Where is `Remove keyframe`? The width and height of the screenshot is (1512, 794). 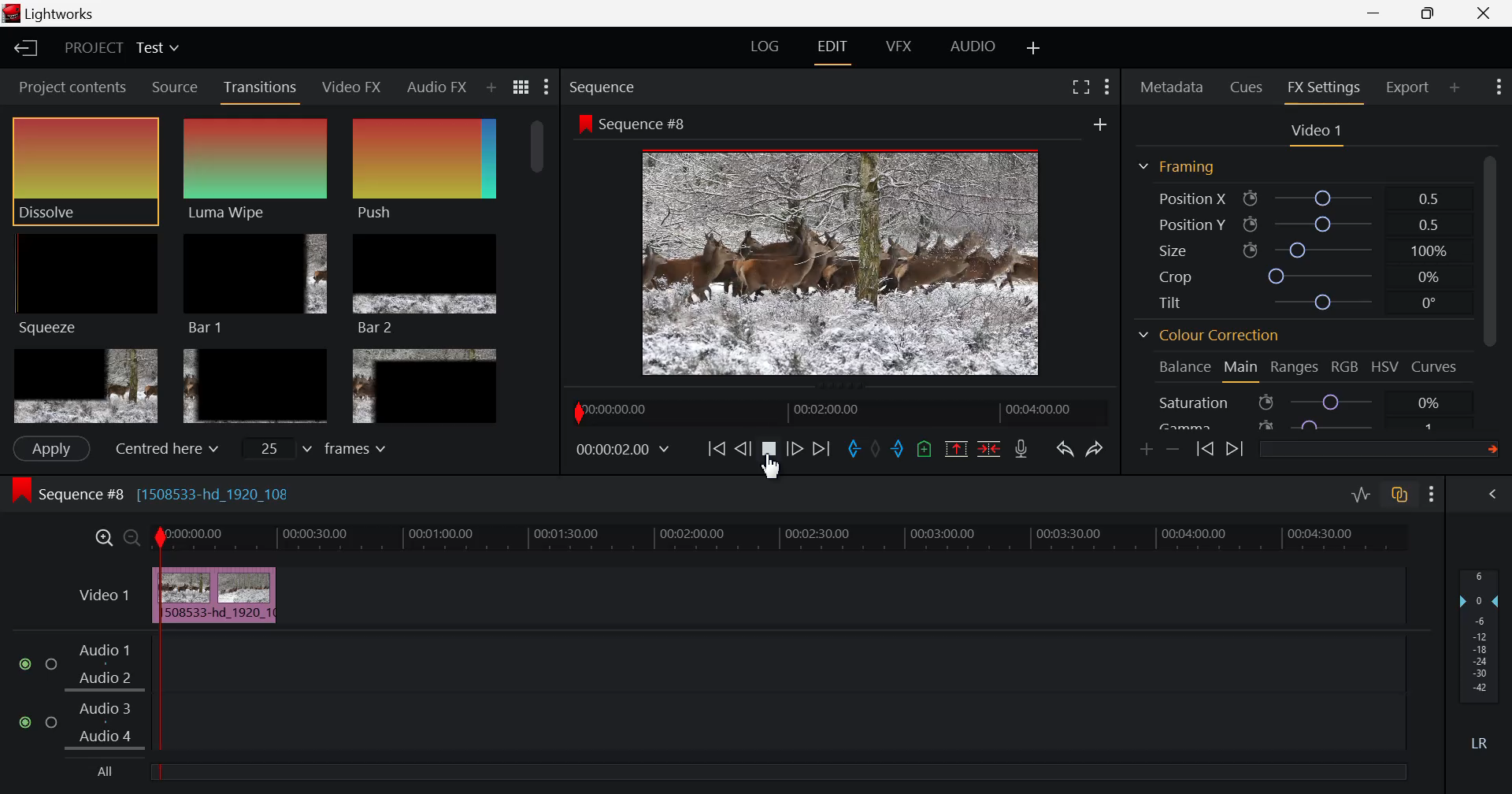 Remove keyframe is located at coordinates (1173, 451).